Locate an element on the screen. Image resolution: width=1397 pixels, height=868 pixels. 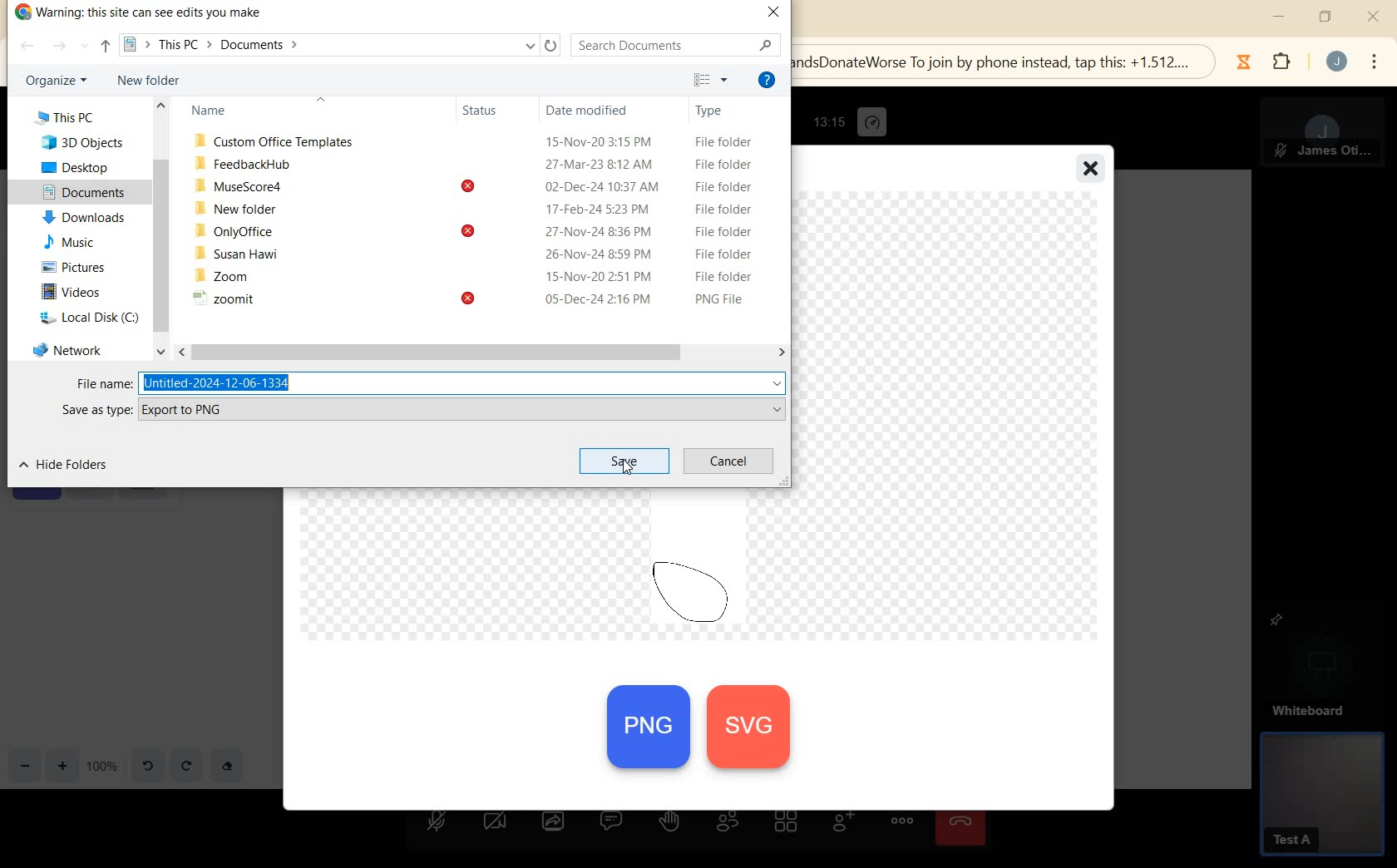
luntitled-2024-12-06-1334 is located at coordinates (234, 382).